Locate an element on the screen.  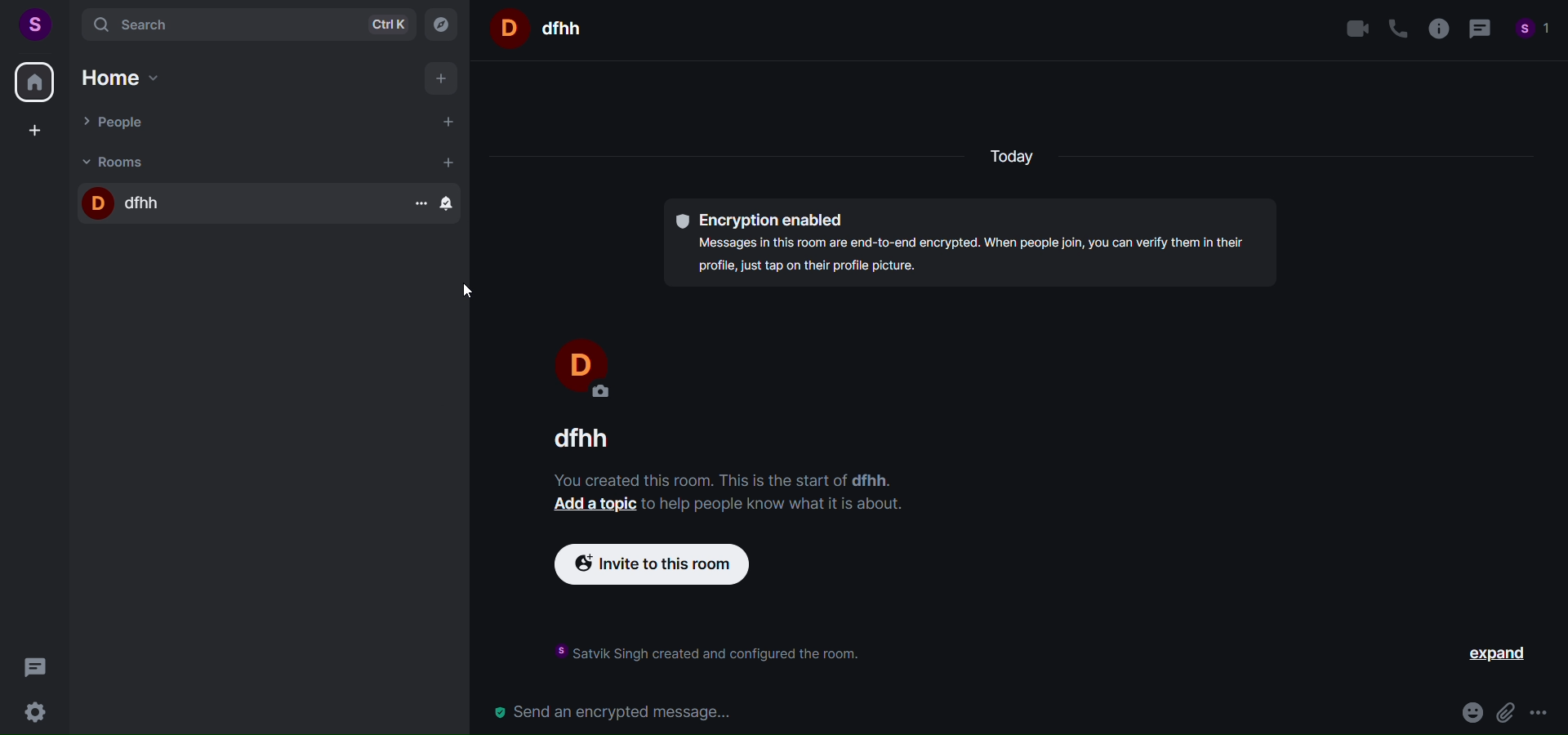
Room DP is located at coordinates (506, 28).